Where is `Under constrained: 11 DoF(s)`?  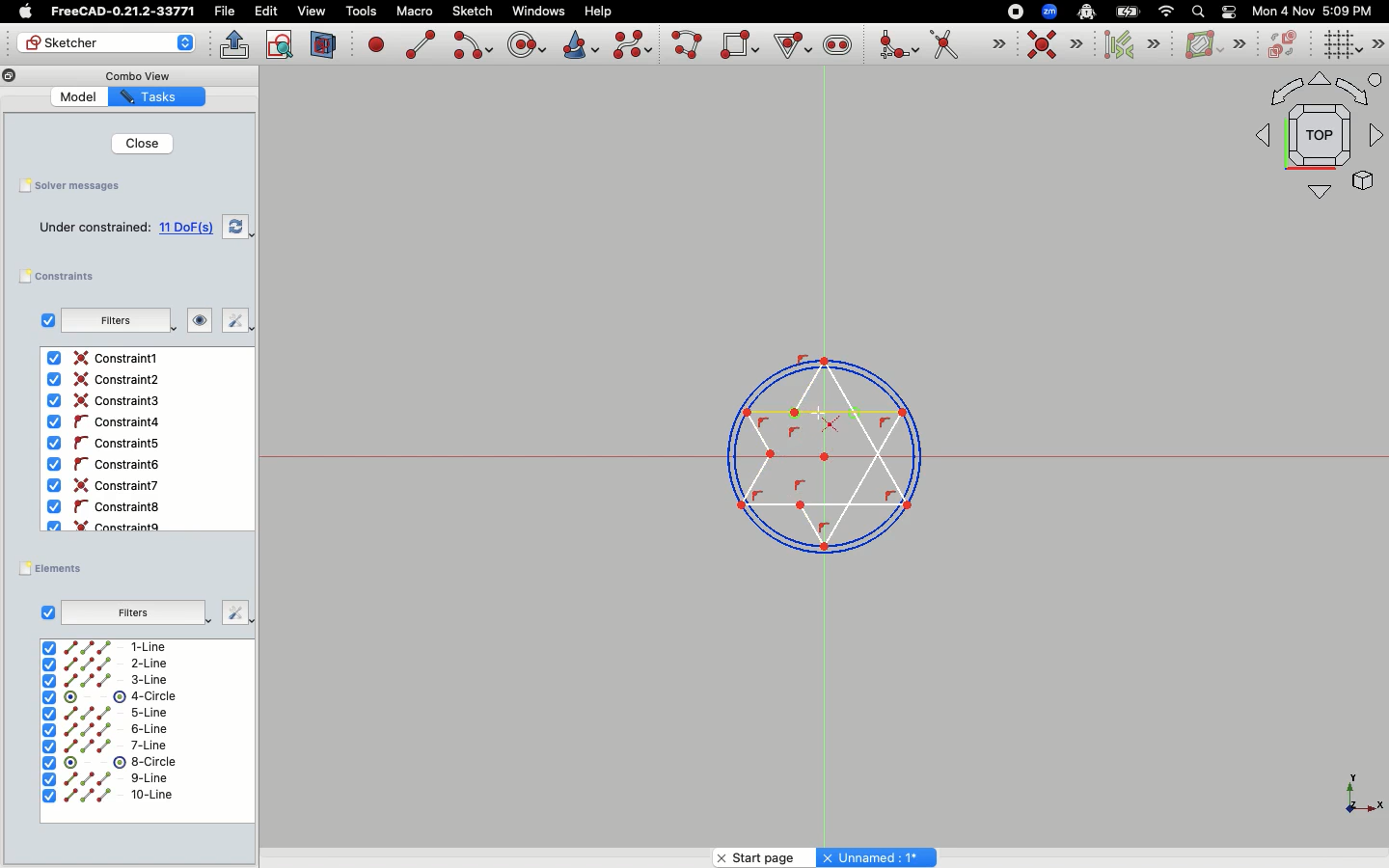
Under constrained: 11 DoF(s) is located at coordinates (122, 228).